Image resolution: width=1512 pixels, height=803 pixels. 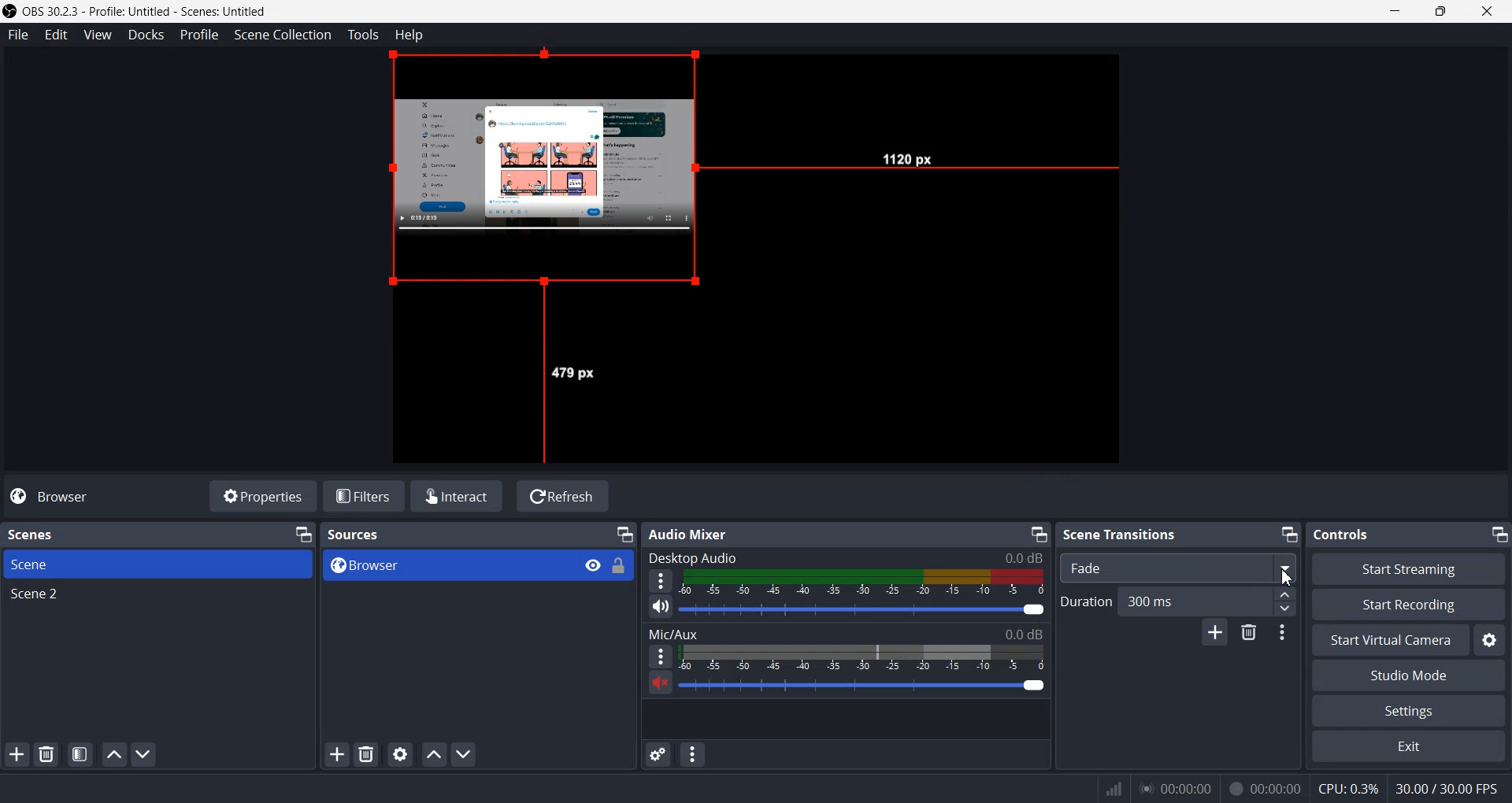 What do you see at coordinates (335, 754) in the screenshot?
I see `Add source` at bounding box center [335, 754].